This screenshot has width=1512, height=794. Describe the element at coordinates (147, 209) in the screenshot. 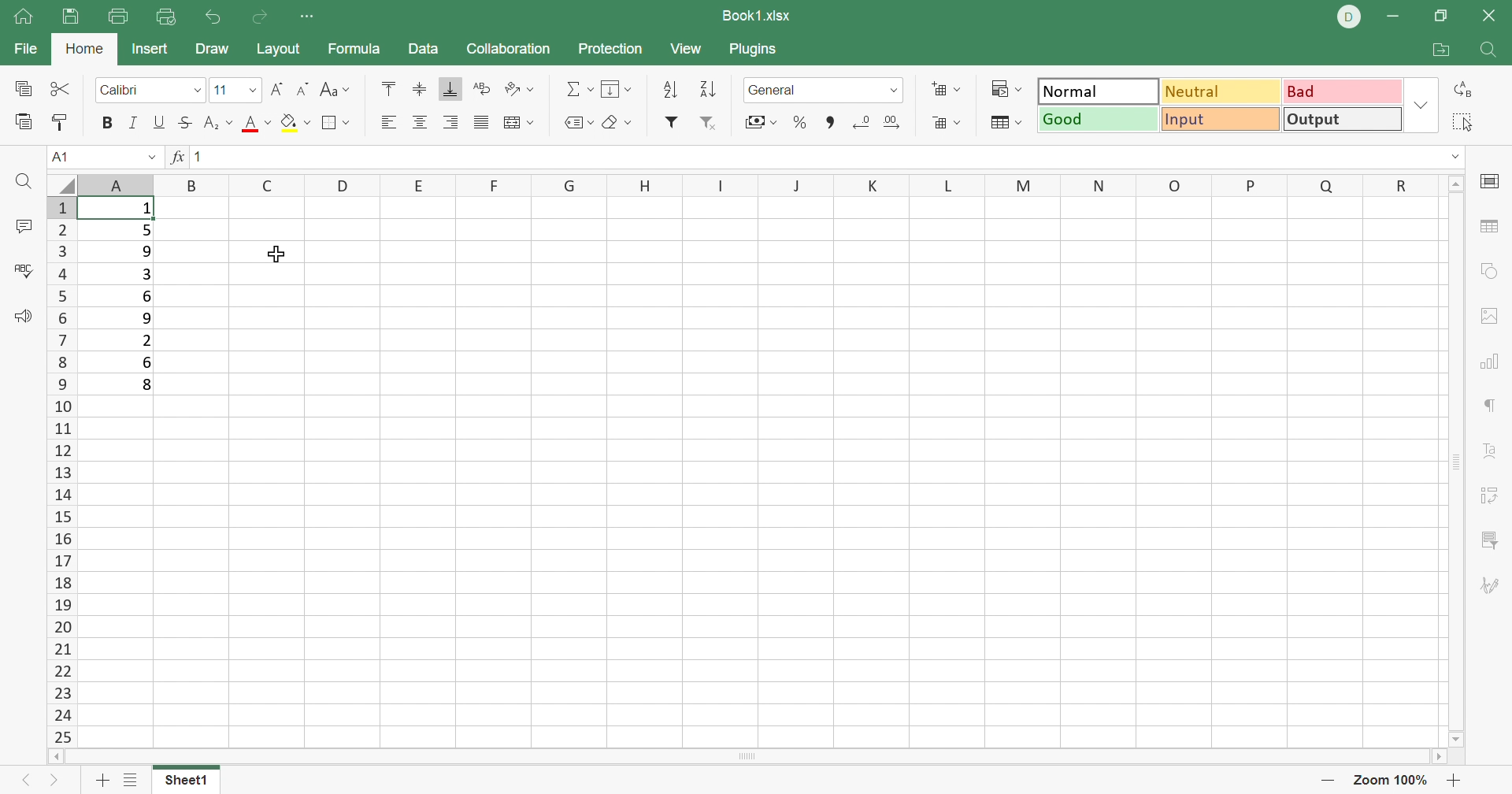

I see `1` at that location.